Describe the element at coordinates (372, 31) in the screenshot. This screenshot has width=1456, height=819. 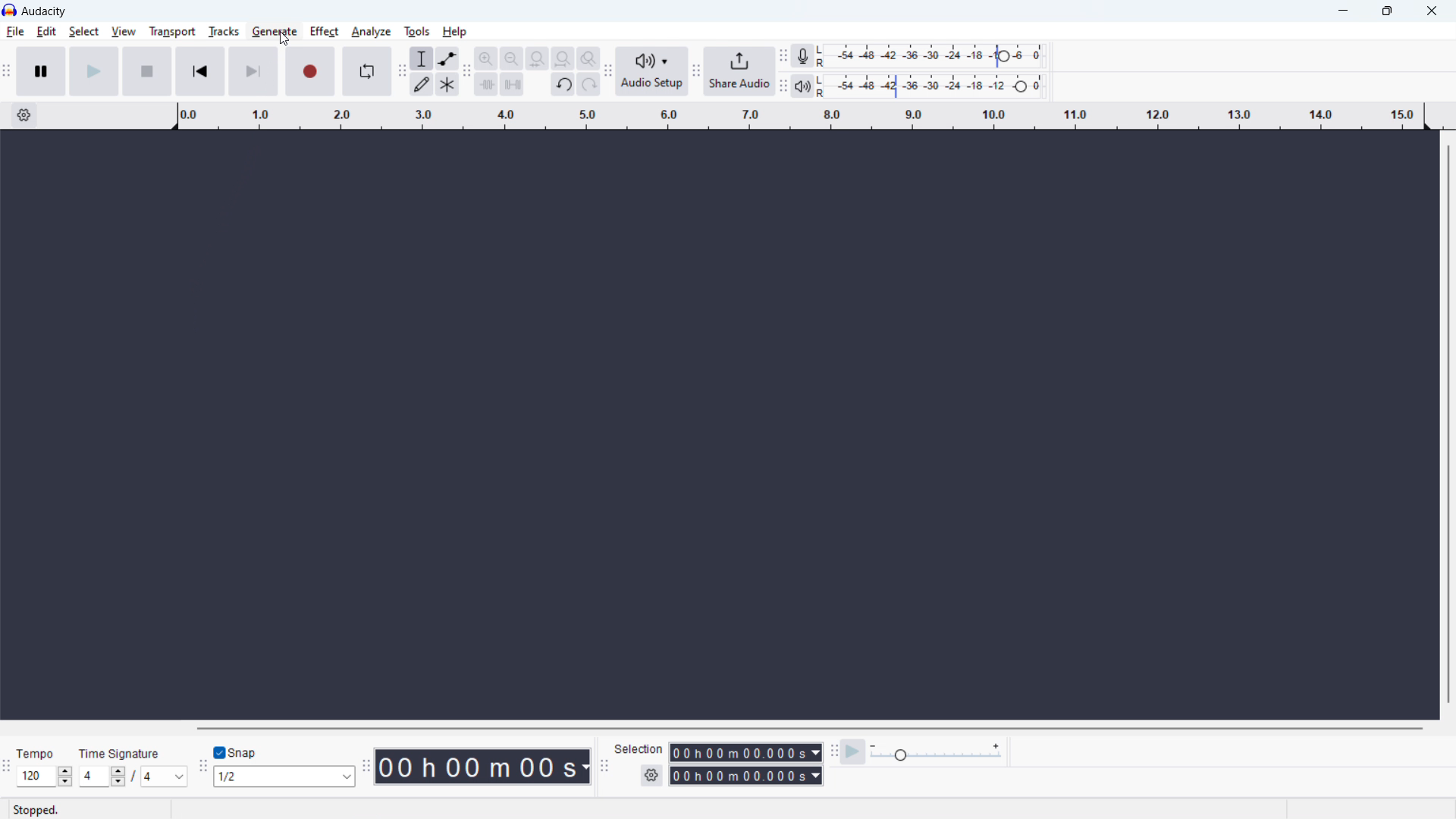
I see `analyze` at that location.